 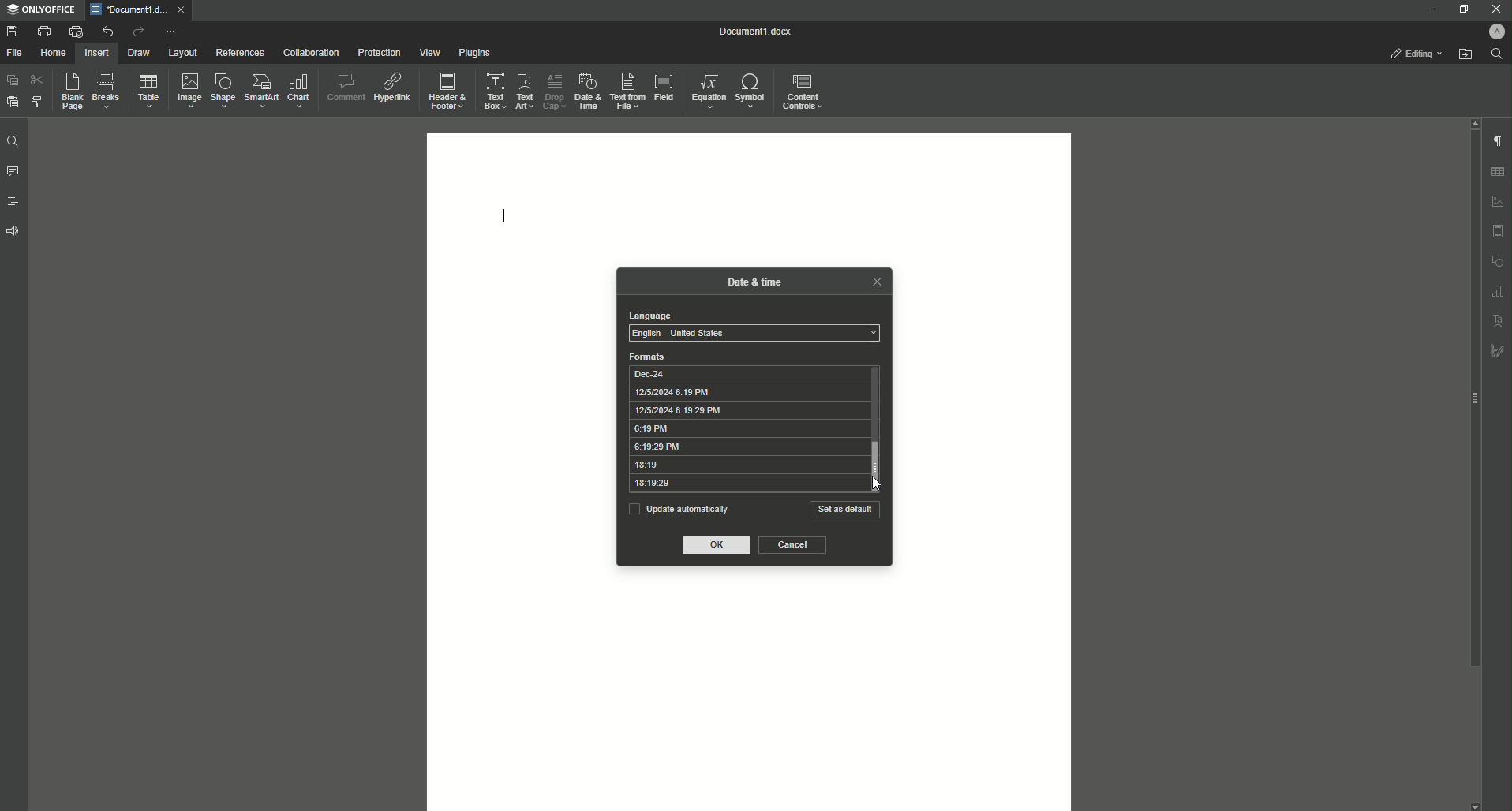 What do you see at coordinates (505, 212) in the screenshot?
I see `Text Line` at bounding box center [505, 212].